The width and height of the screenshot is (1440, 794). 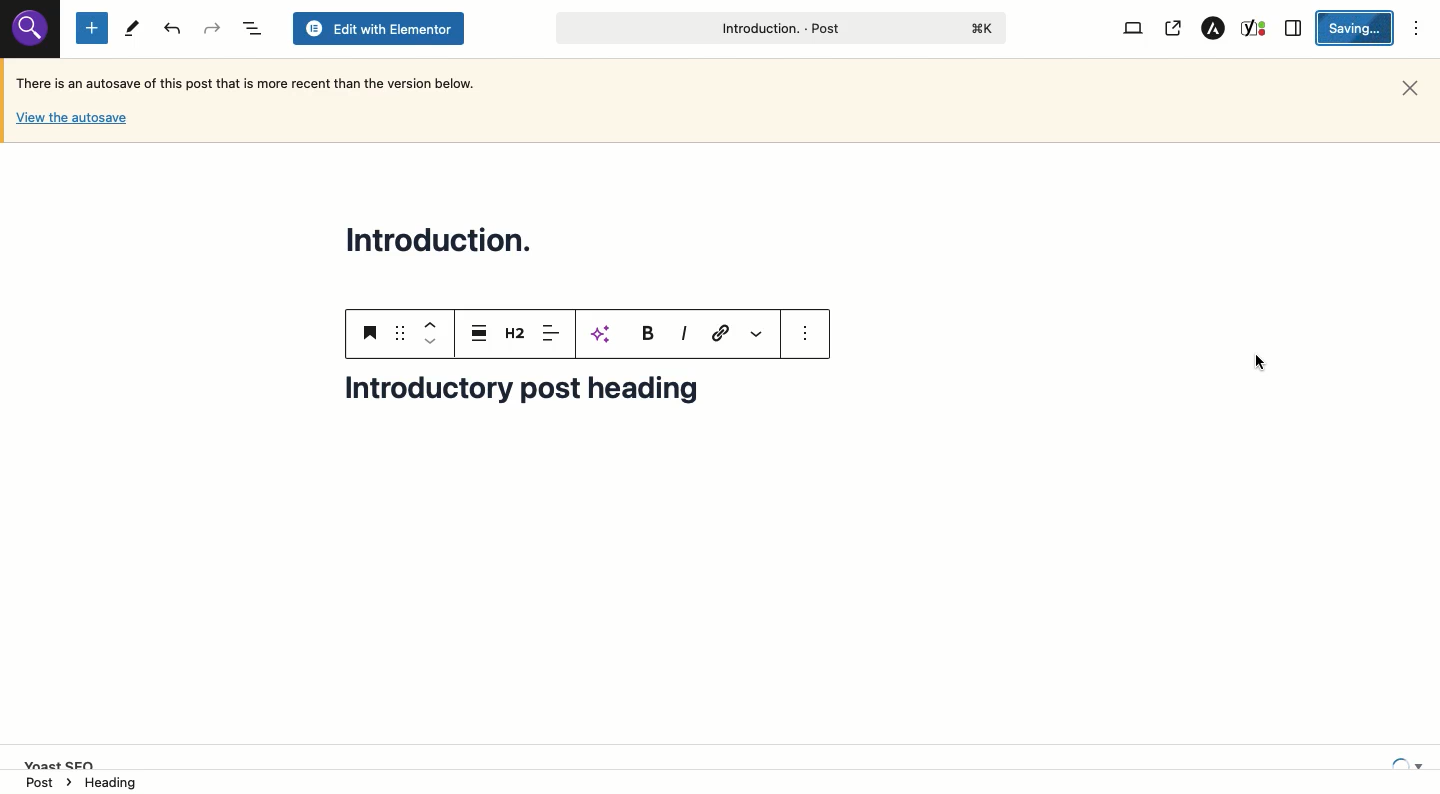 I want to click on Tools, so click(x=131, y=29).